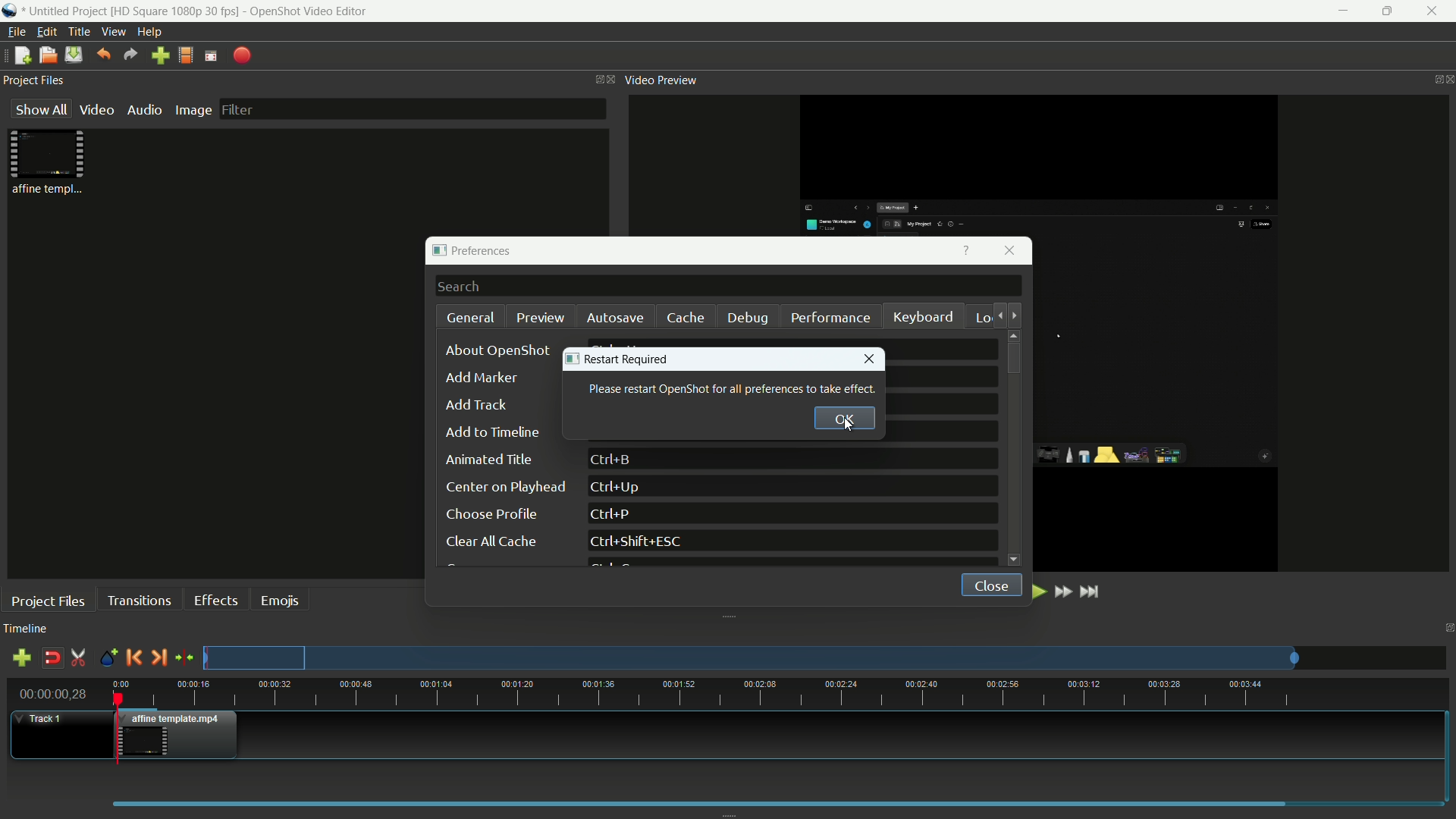 The height and width of the screenshot is (819, 1456). What do you see at coordinates (281, 599) in the screenshot?
I see `emojis` at bounding box center [281, 599].